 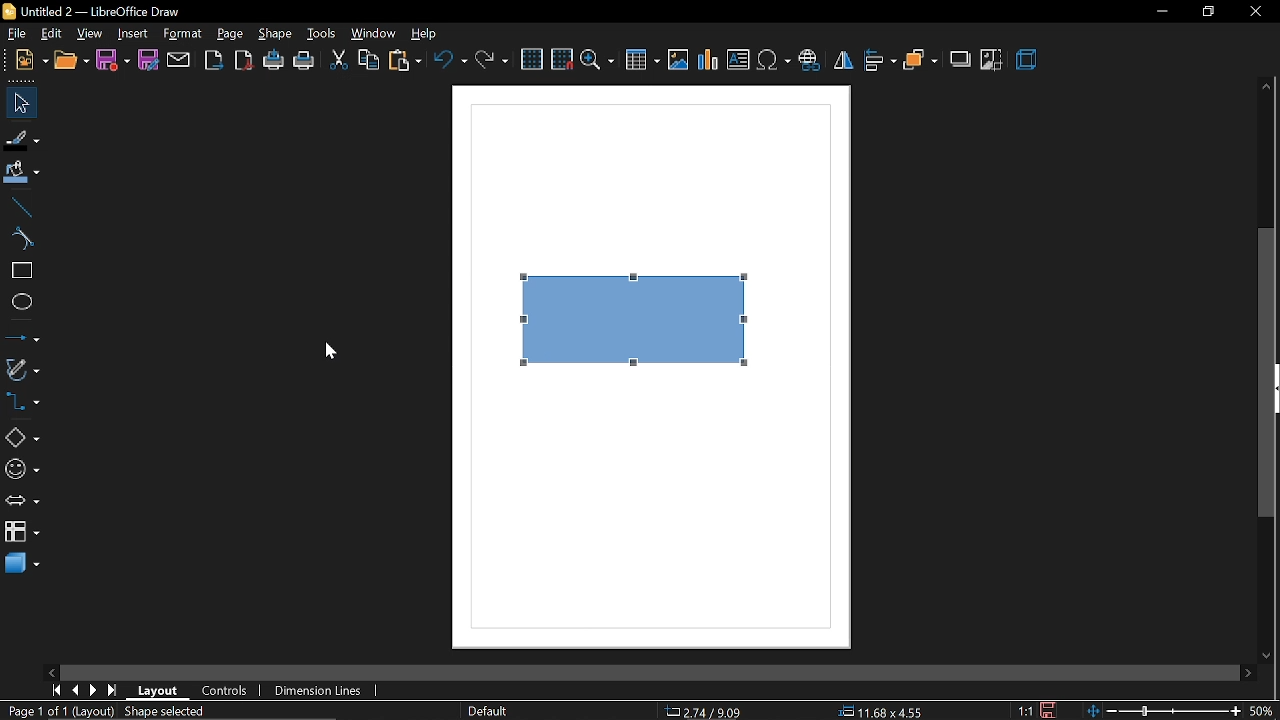 What do you see at coordinates (328, 353) in the screenshot?
I see `Cursor` at bounding box center [328, 353].